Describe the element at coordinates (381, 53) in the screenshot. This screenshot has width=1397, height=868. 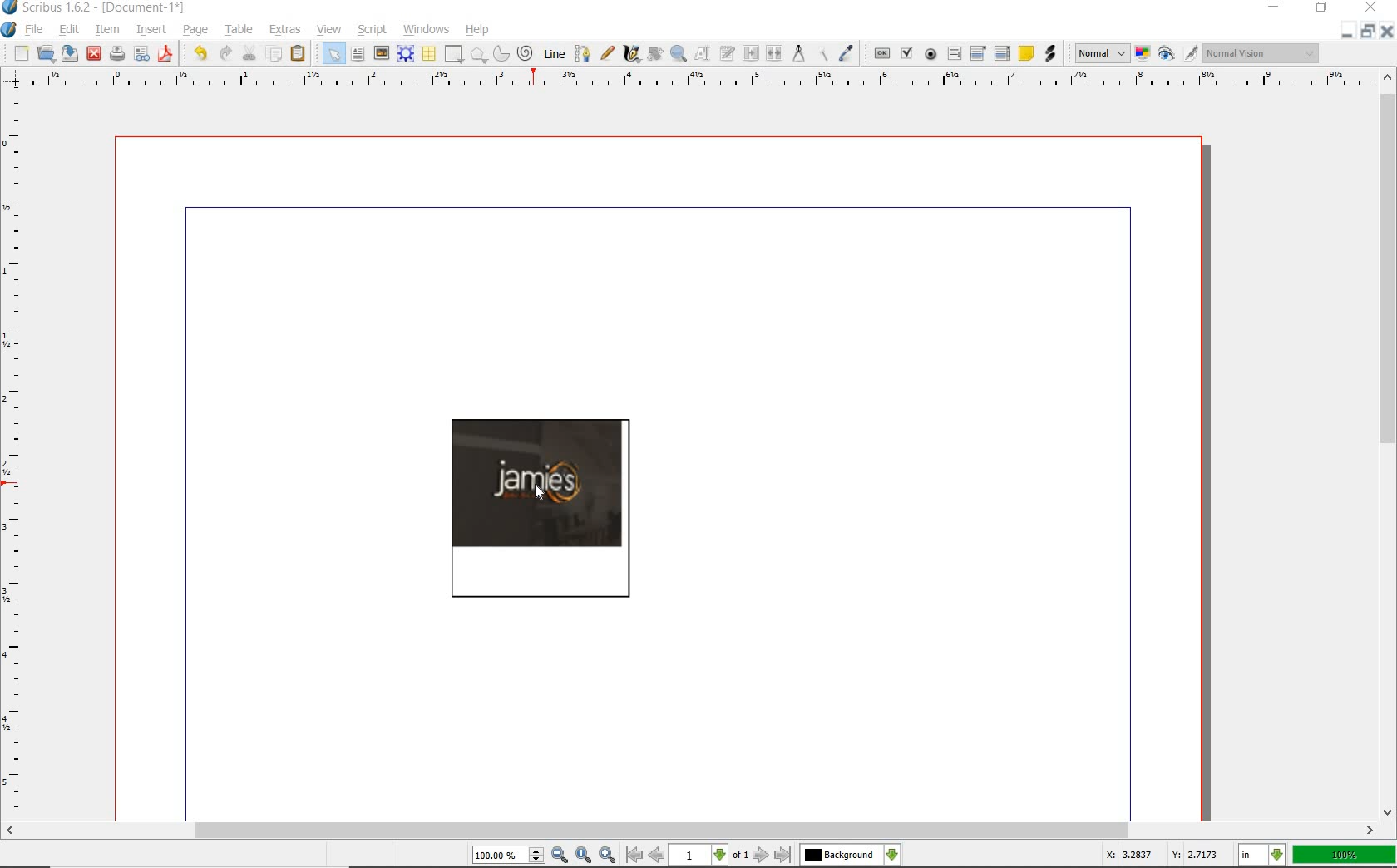
I see `image frame` at that location.